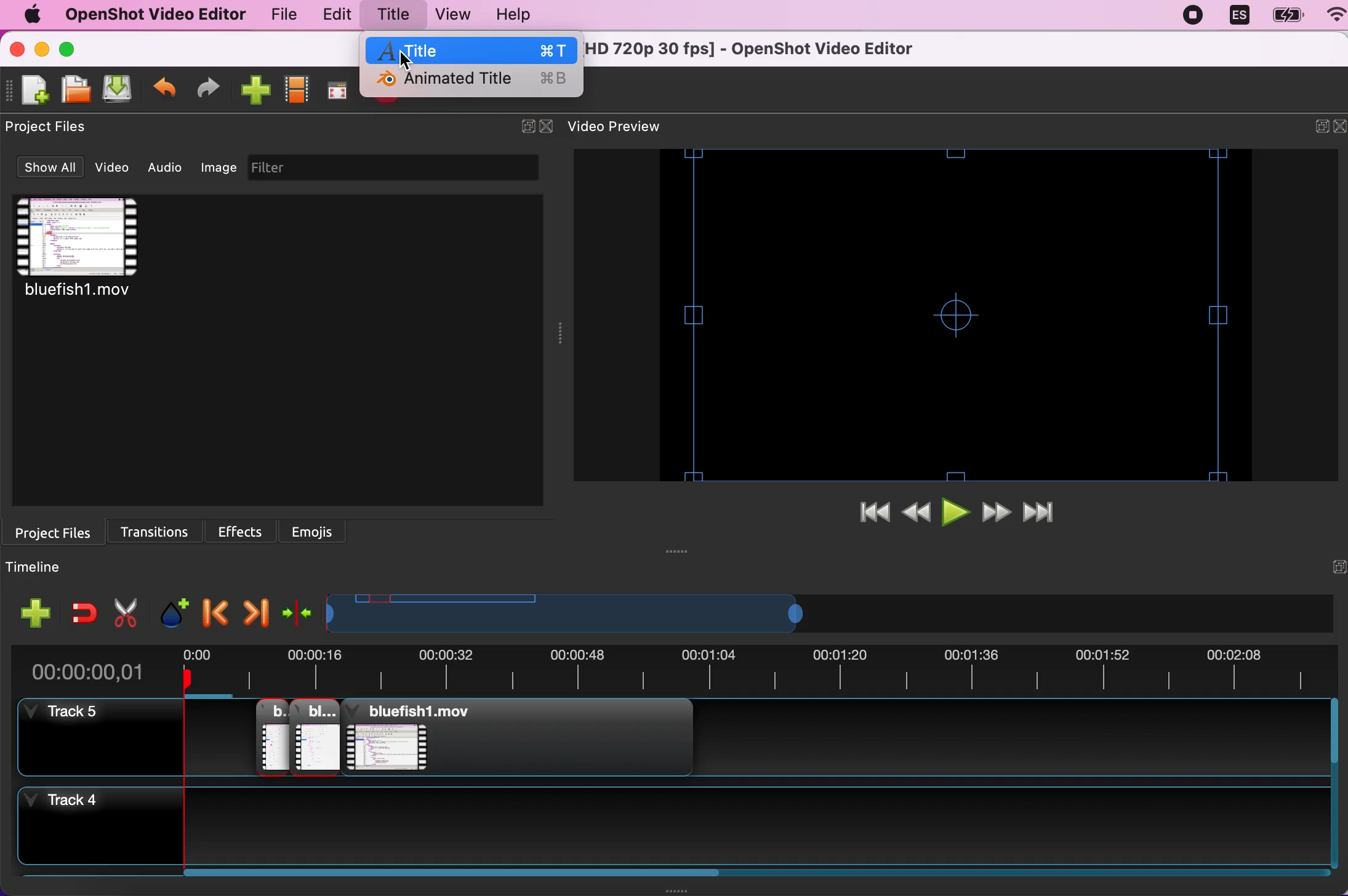  What do you see at coordinates (334, 15) in the screenshot?
I see `edit` at bounding box center [334, 15].